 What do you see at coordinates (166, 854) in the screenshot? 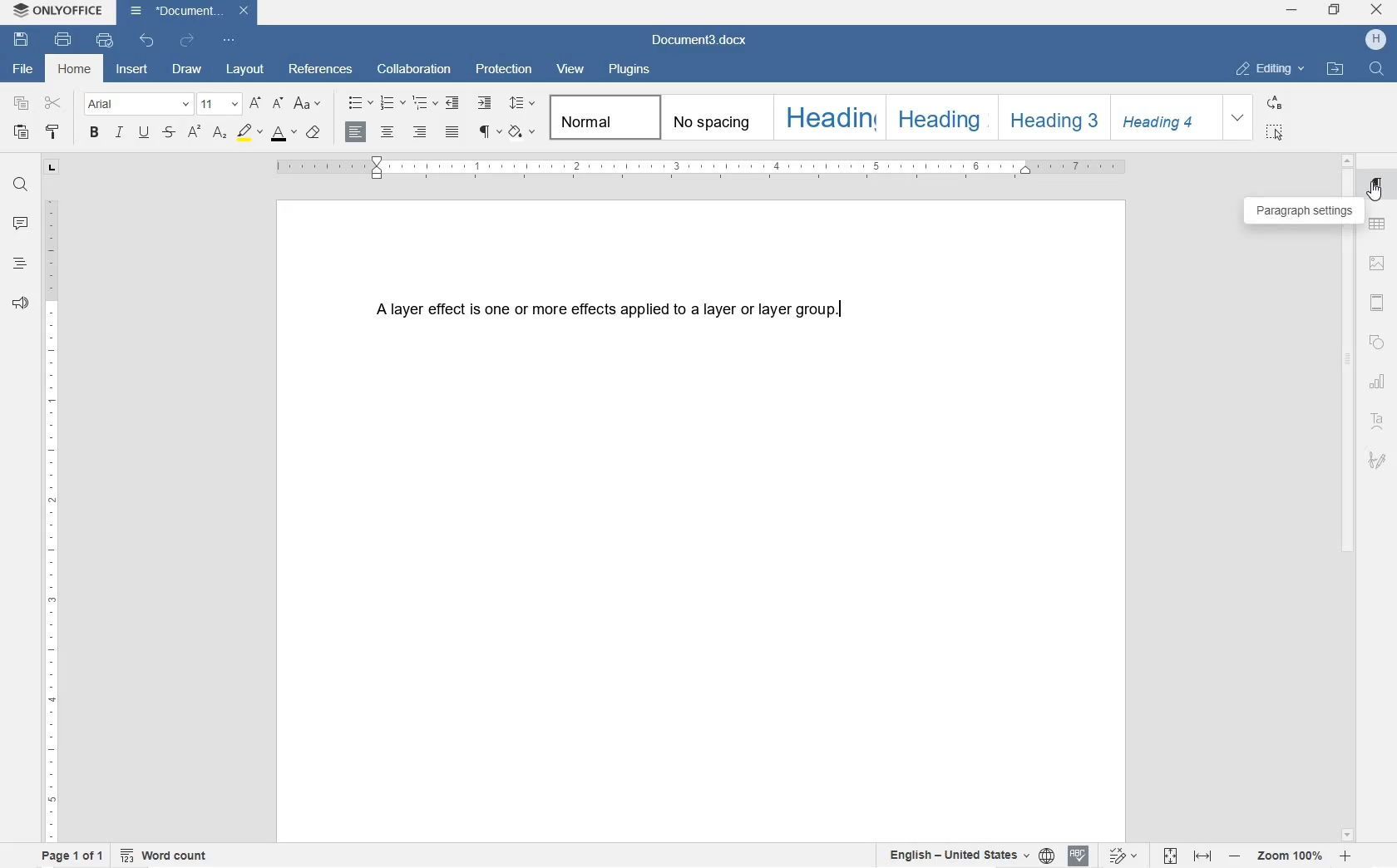
I see `WORD COUNT` at bounding box center [166, 854].